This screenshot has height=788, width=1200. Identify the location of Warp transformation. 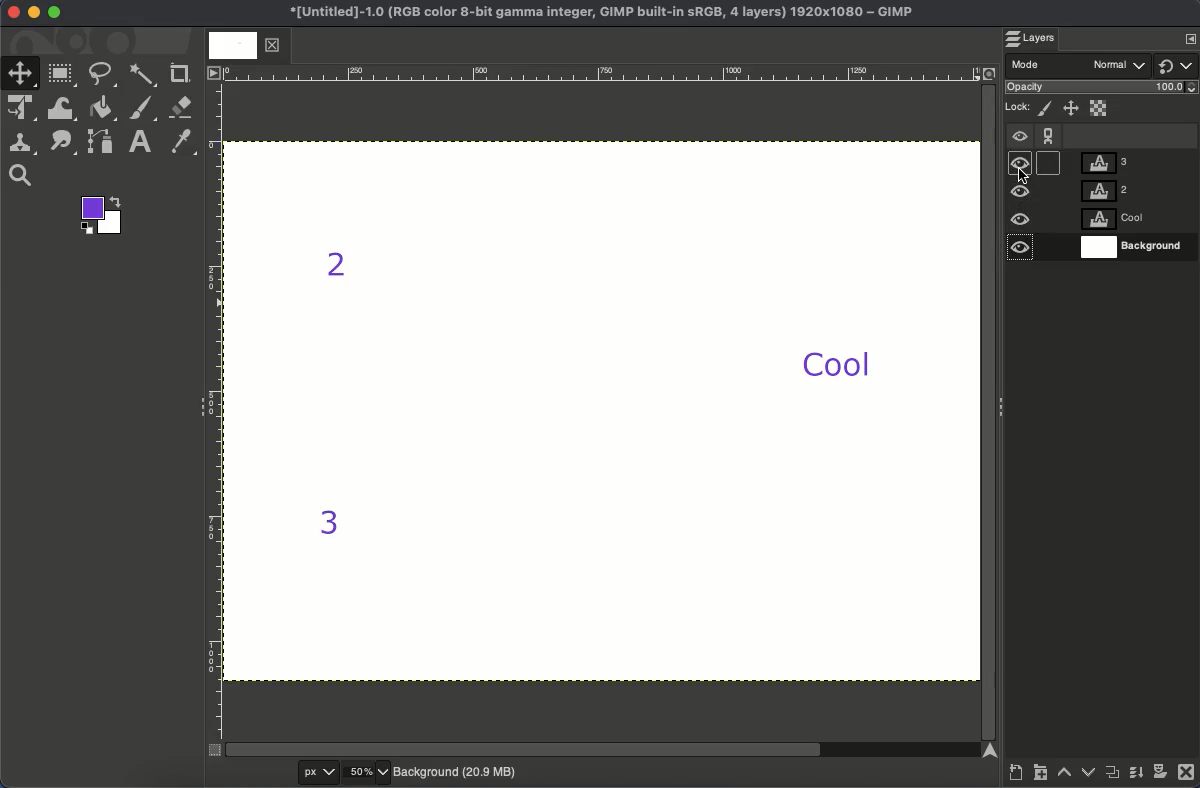
(63, 110).